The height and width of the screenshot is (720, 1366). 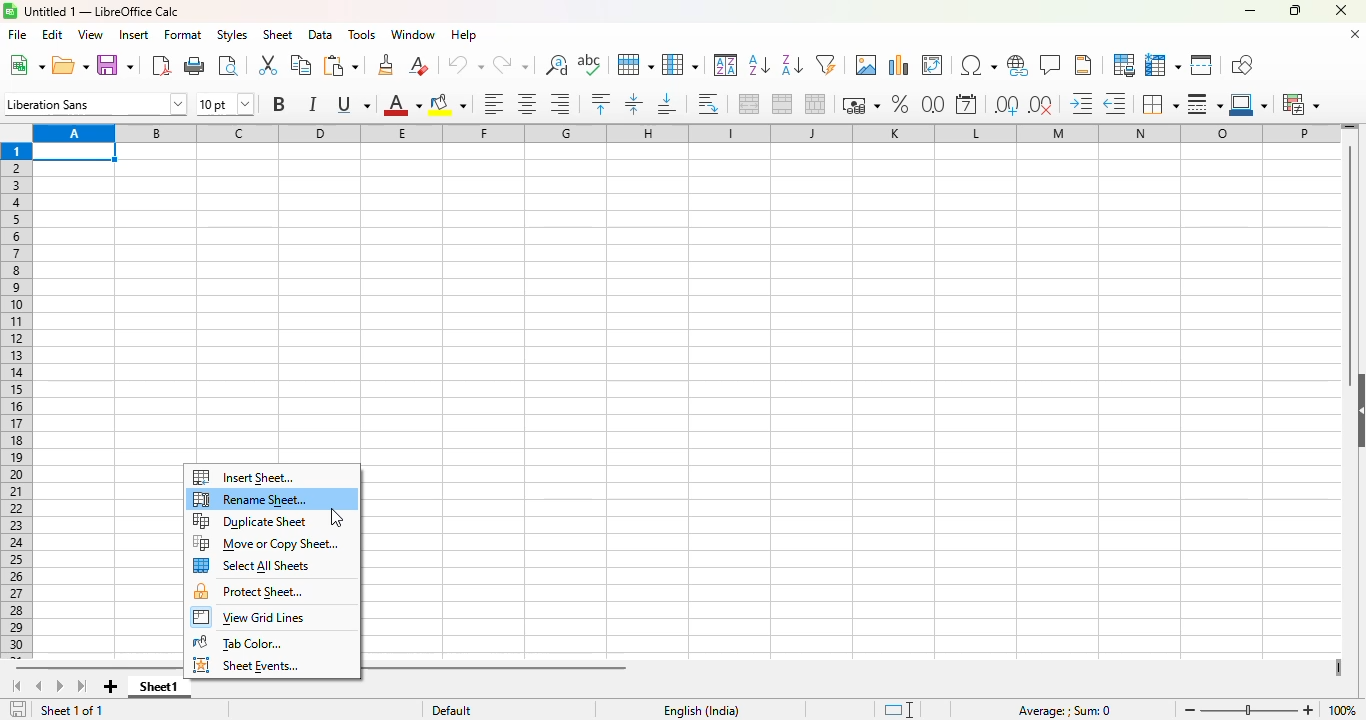 I want to click on find and replace, so click(x=556, y=65).